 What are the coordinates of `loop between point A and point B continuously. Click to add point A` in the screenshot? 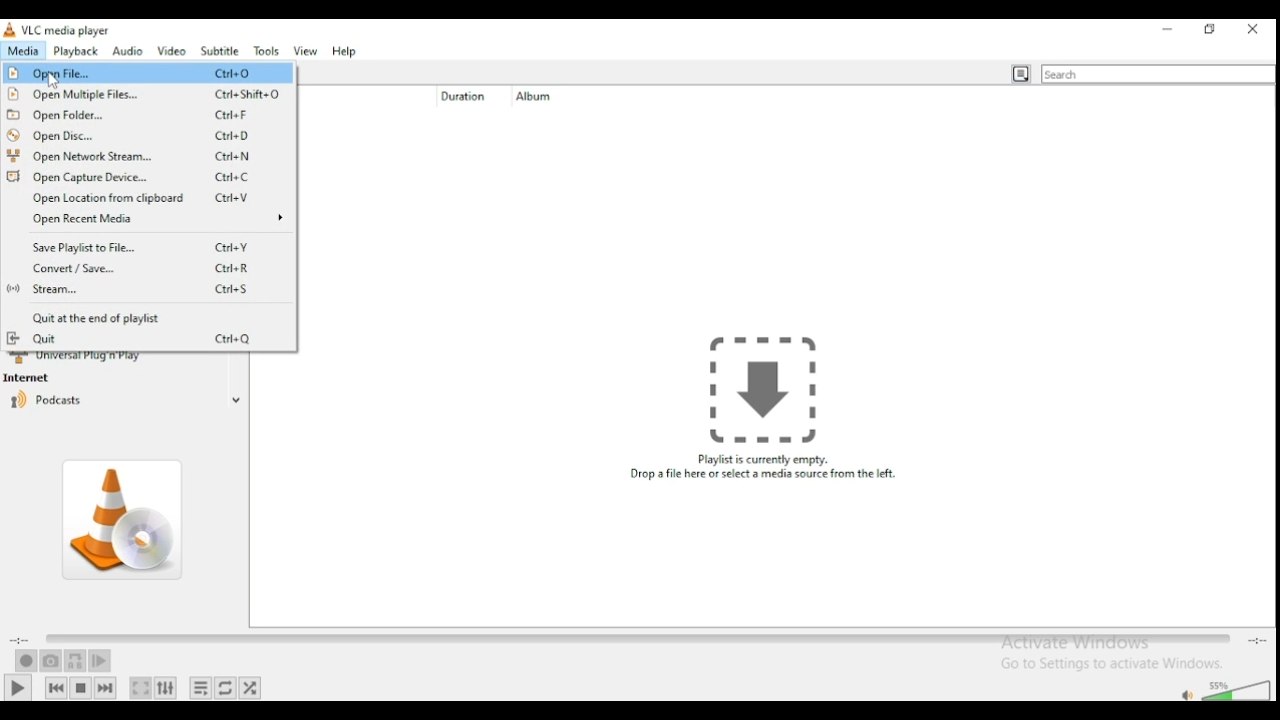 It's located at (75, 662).